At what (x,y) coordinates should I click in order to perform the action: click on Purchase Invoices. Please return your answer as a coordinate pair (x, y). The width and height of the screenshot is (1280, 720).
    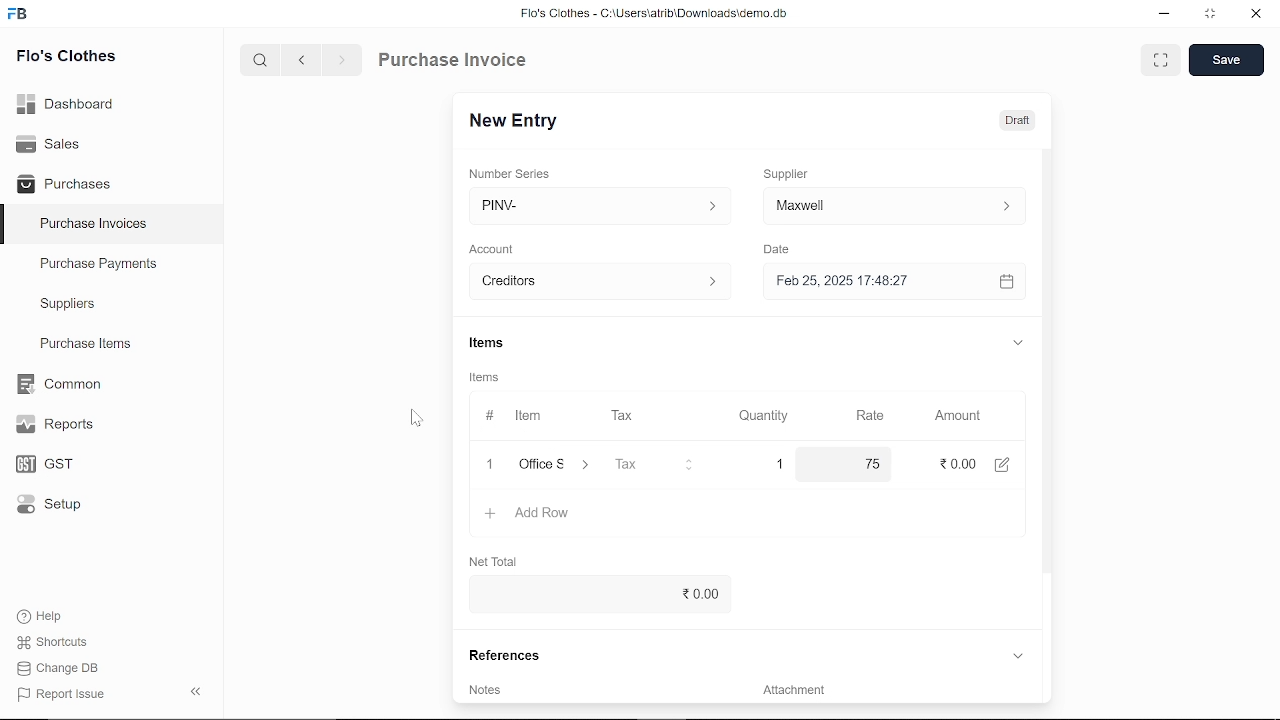
    Looking at the image, I should click on (94, 226).